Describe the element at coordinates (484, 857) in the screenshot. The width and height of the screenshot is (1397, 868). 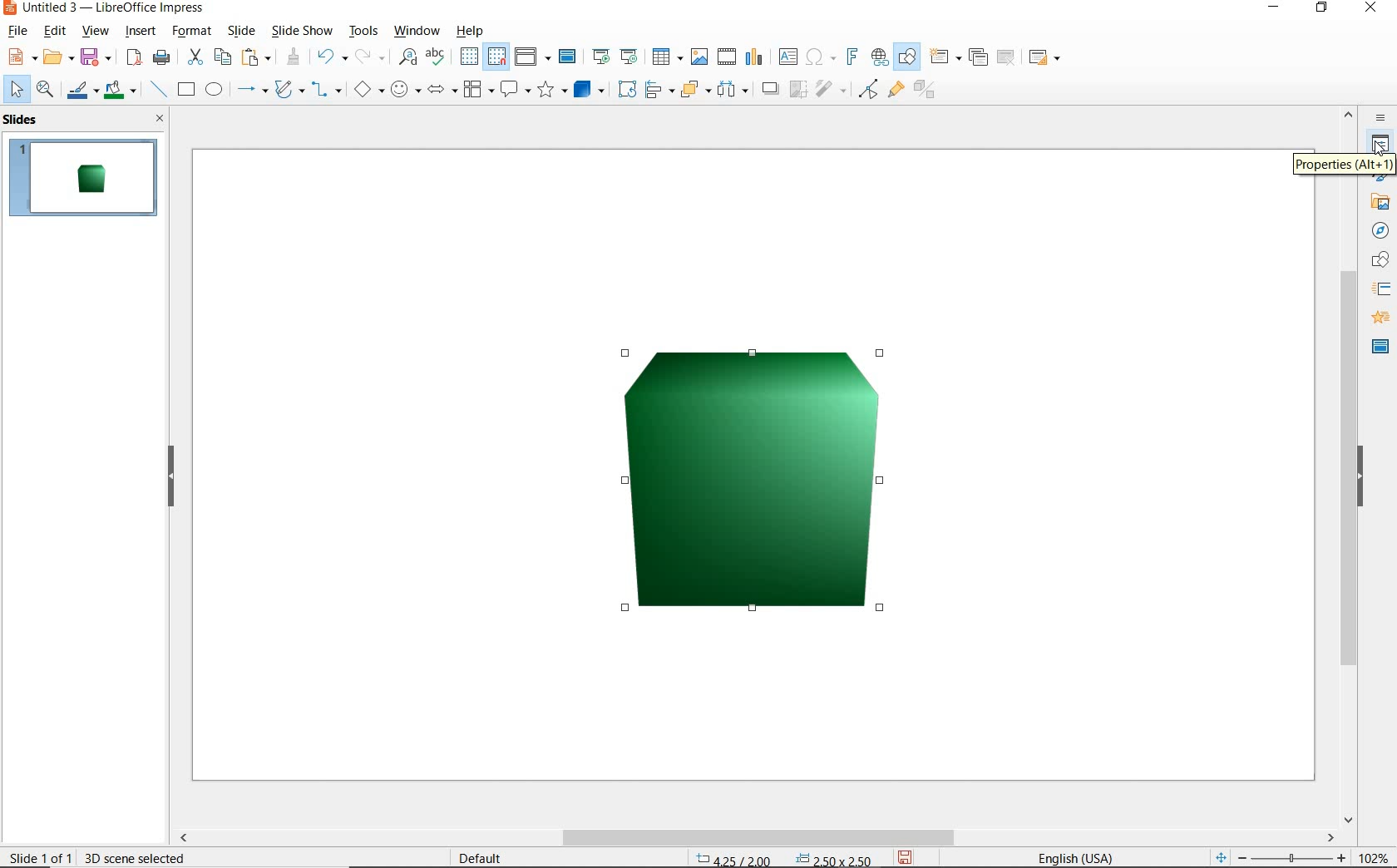
I see `DEFAULT` at that location.